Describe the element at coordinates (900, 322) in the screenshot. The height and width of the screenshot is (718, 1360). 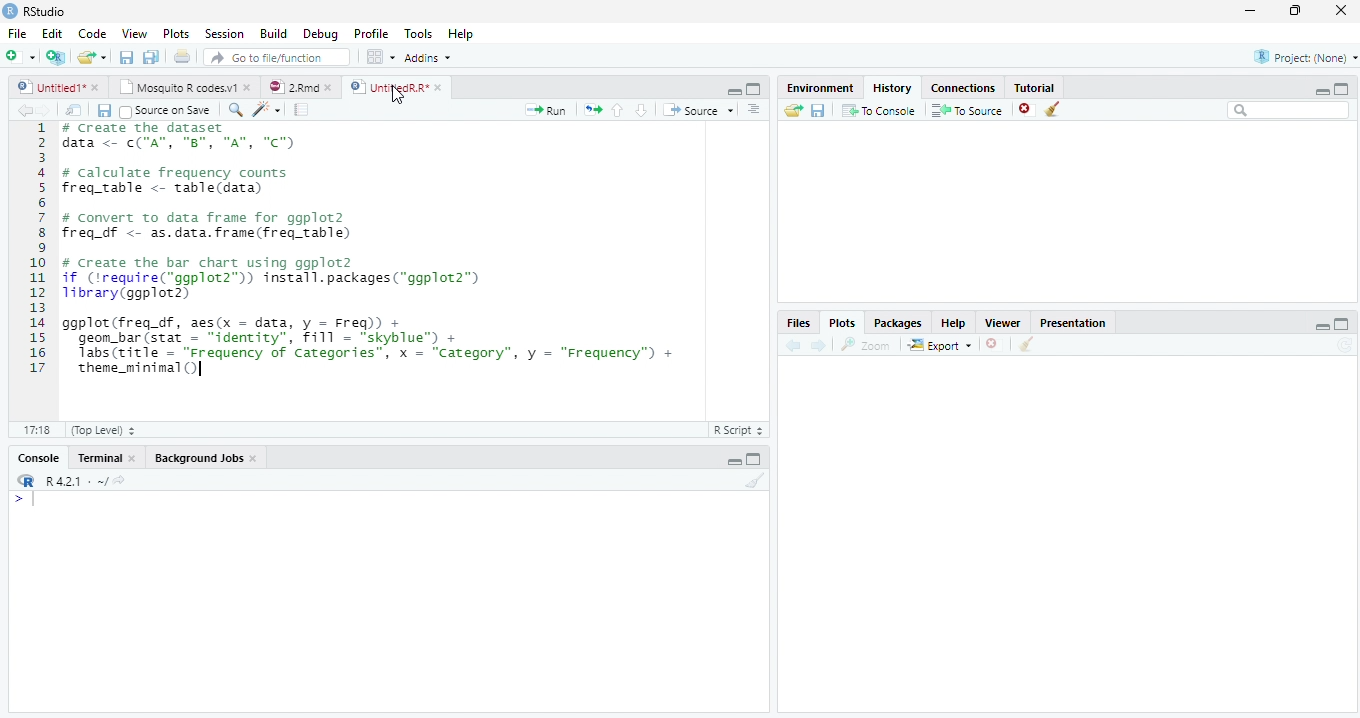
I see `Packages` at that location.